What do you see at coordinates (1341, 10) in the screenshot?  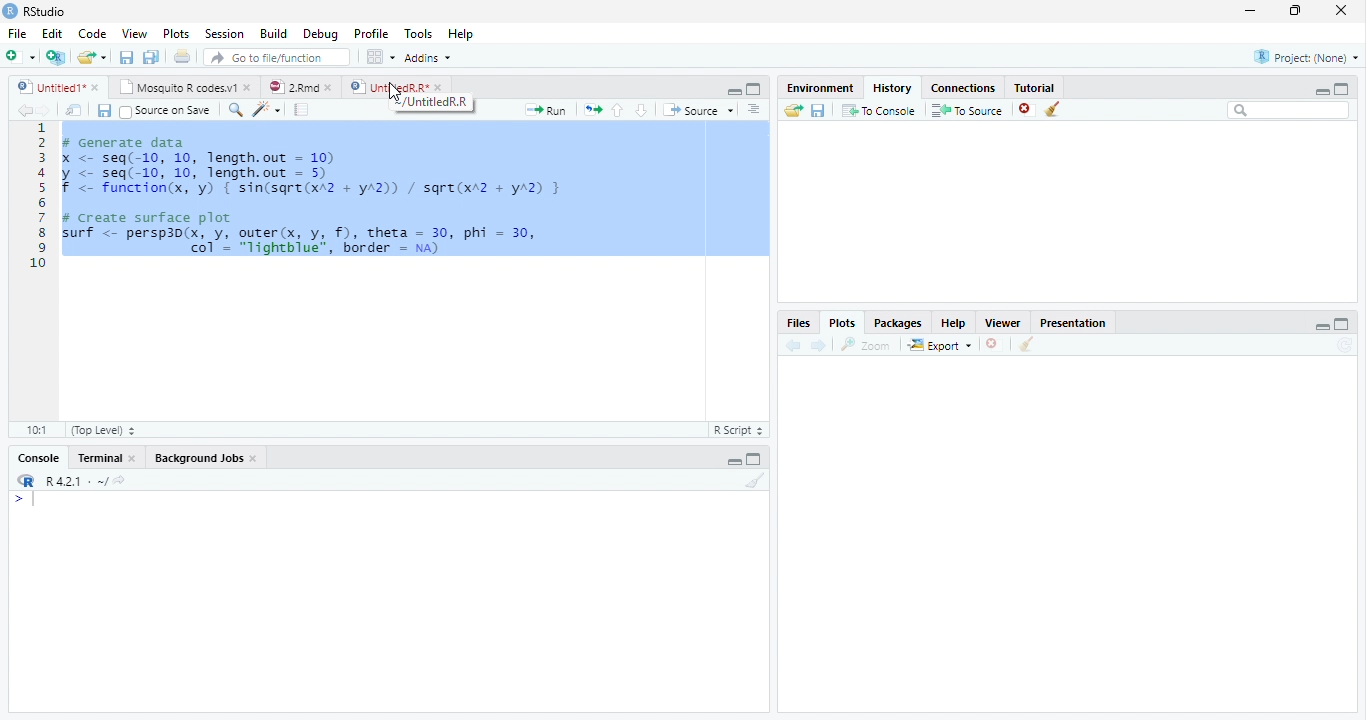 I see `close` at bounding box center [1341, 10].